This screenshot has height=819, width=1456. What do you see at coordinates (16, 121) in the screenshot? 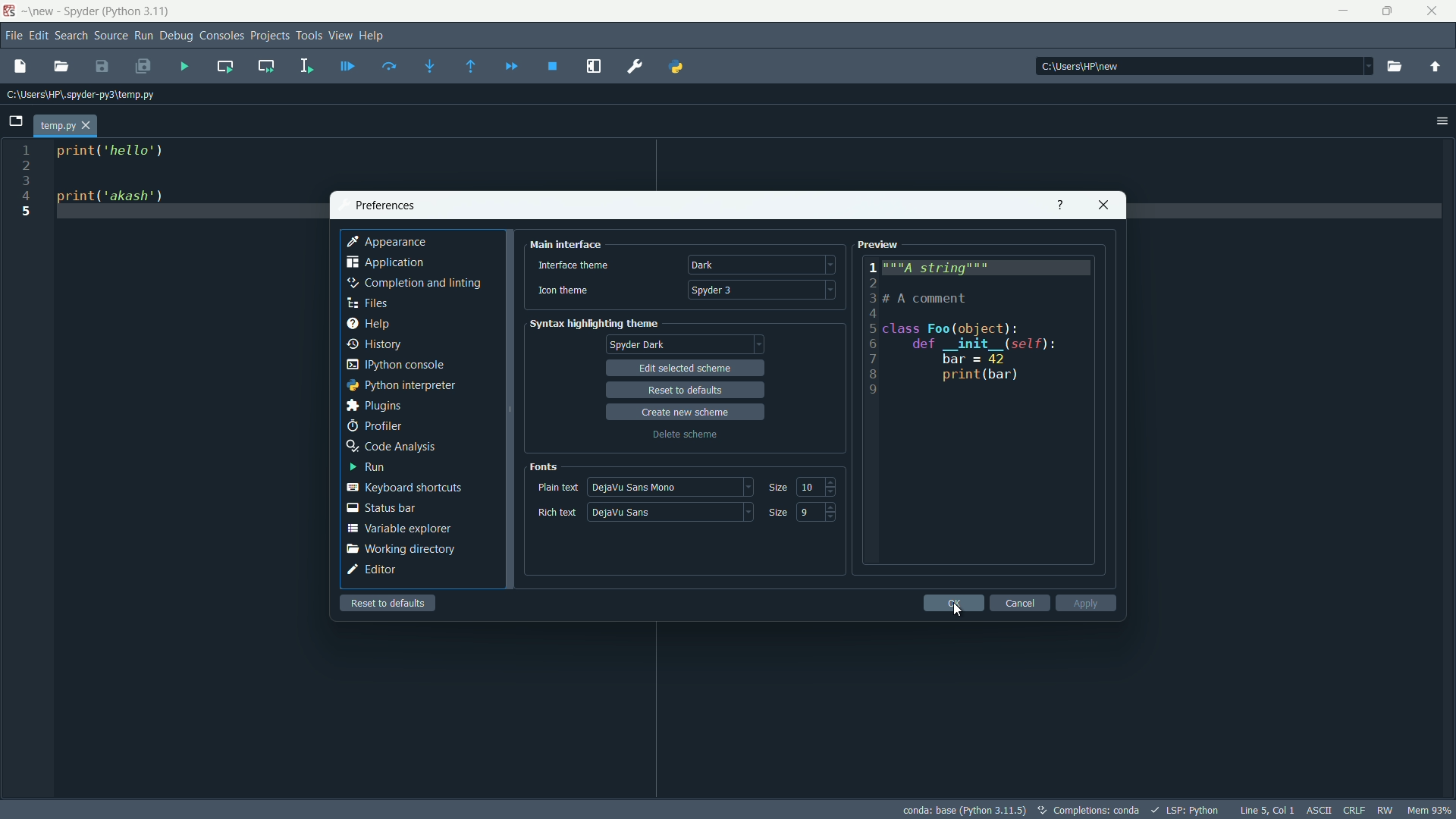
I see `browse tabs` at bounding box center [16, 121].